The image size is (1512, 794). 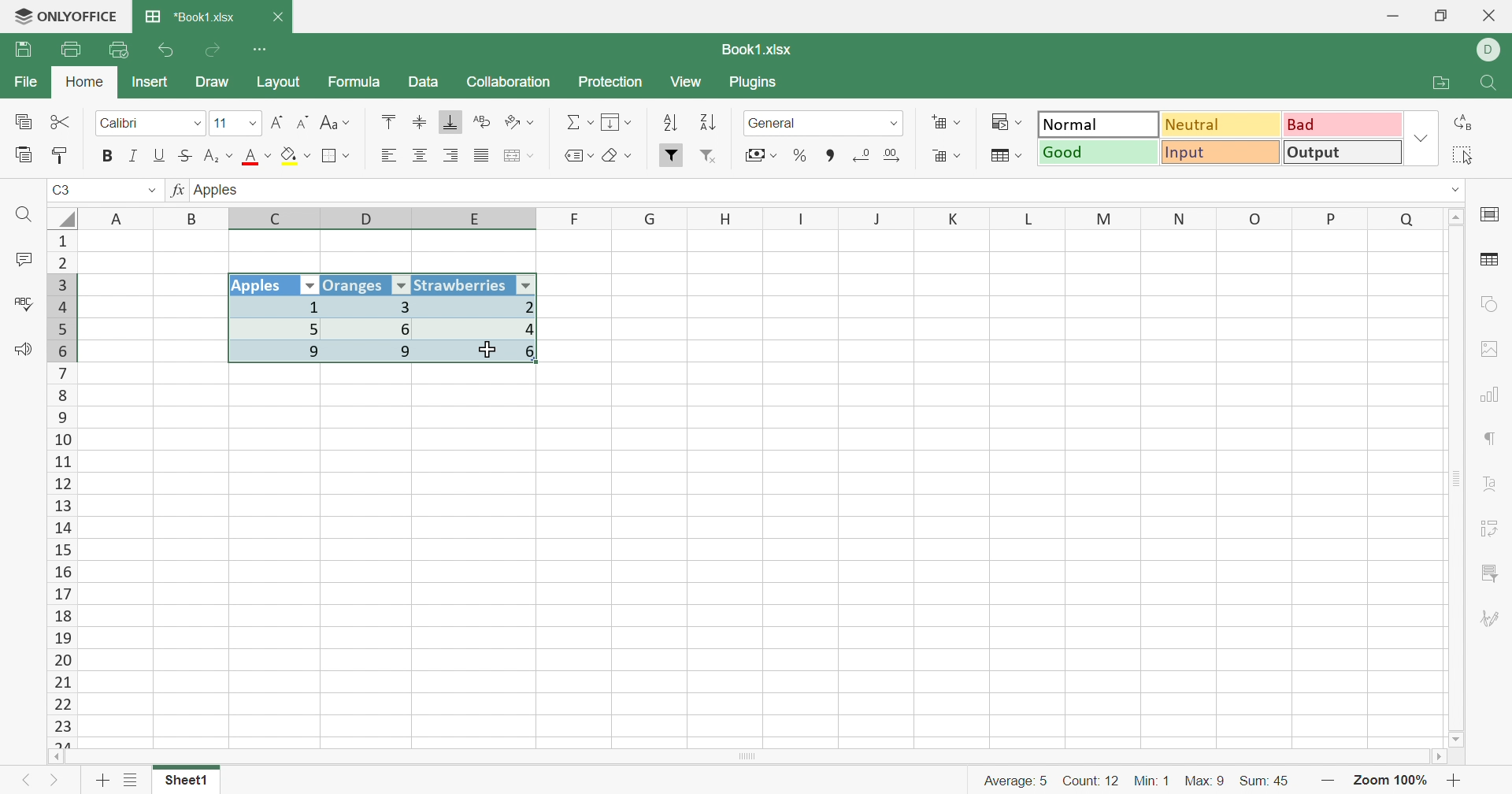 What do you see at coordinates (1222, 124) in the screenshot?
I see `Neutral` at bounding box center [1222, 124].